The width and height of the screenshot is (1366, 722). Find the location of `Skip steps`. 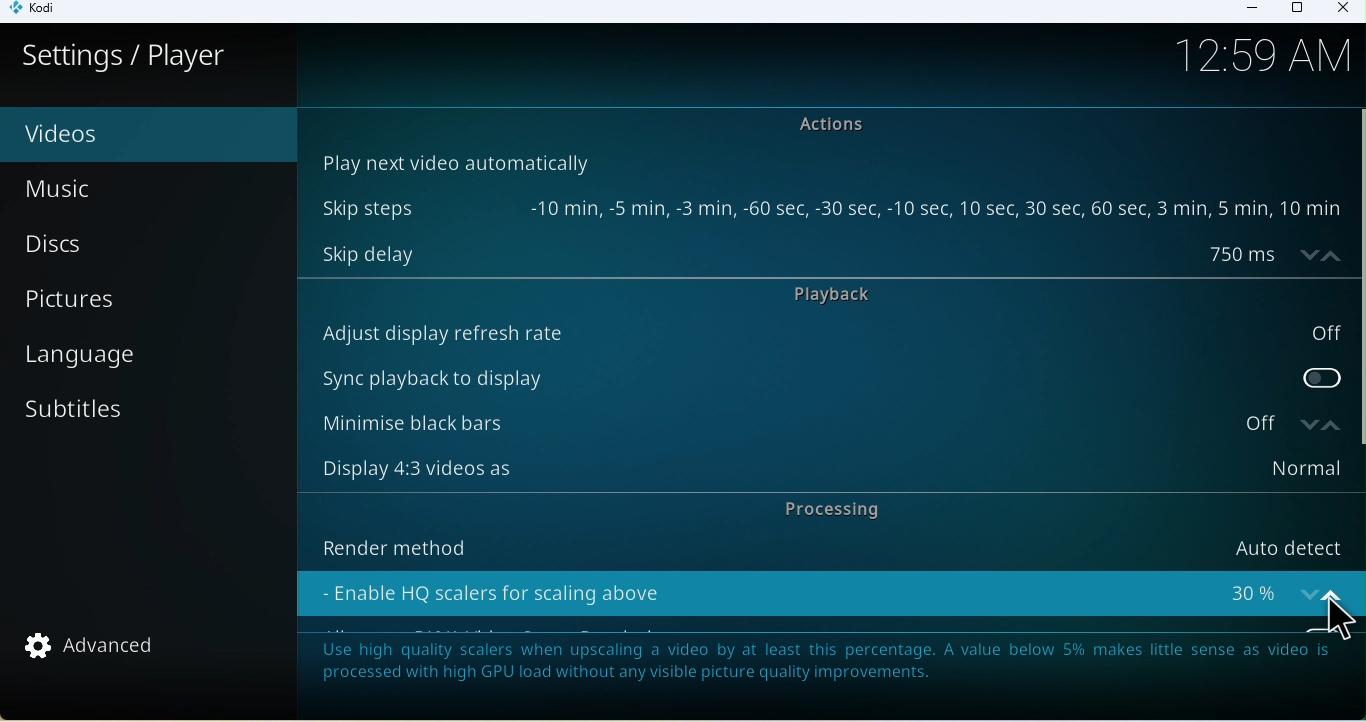

Skip steps is located at coordinates (828, 209).